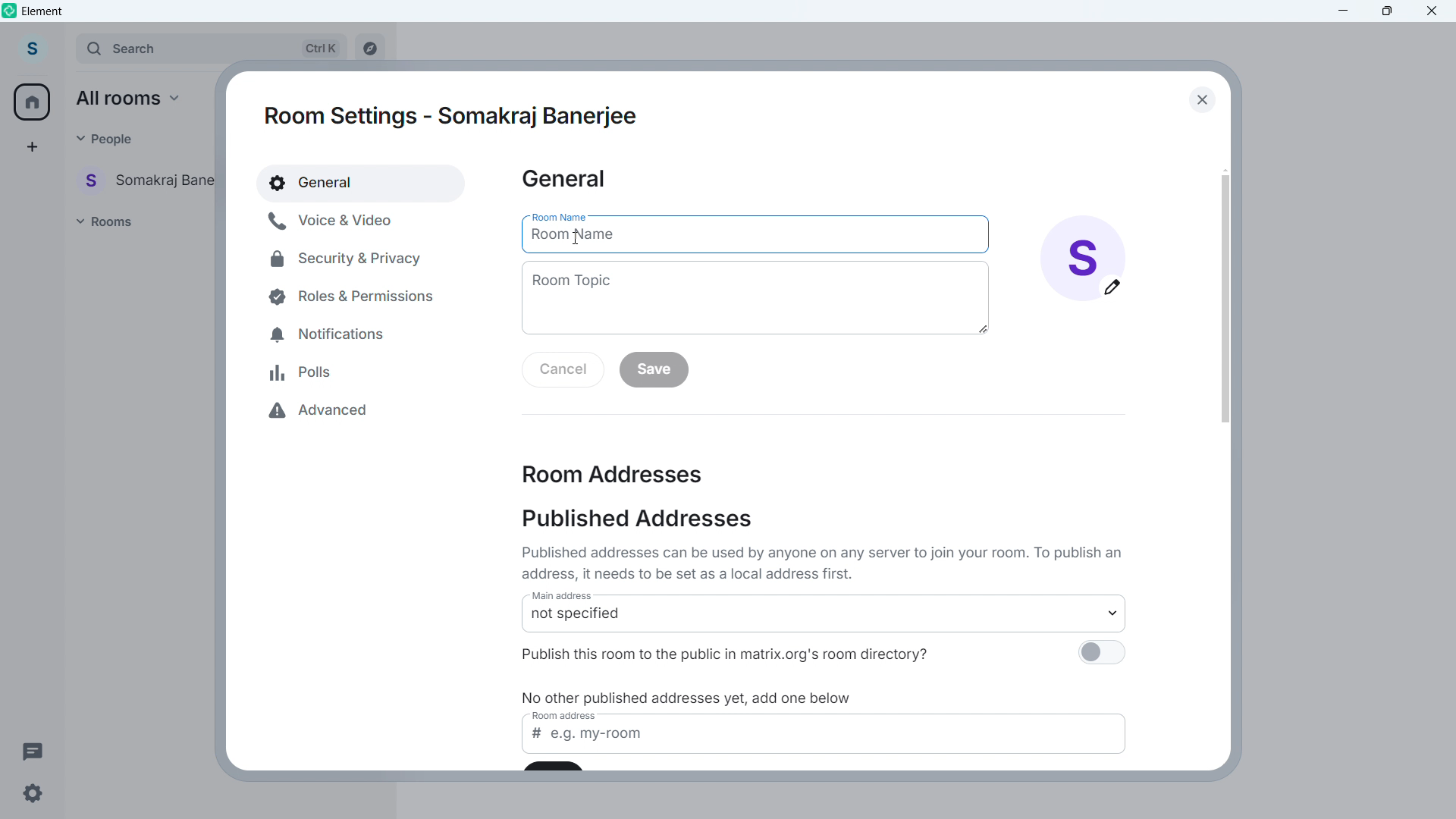 The height and width of the screenshot is (819, 1456). I want to click on Home , so click(33, 102).